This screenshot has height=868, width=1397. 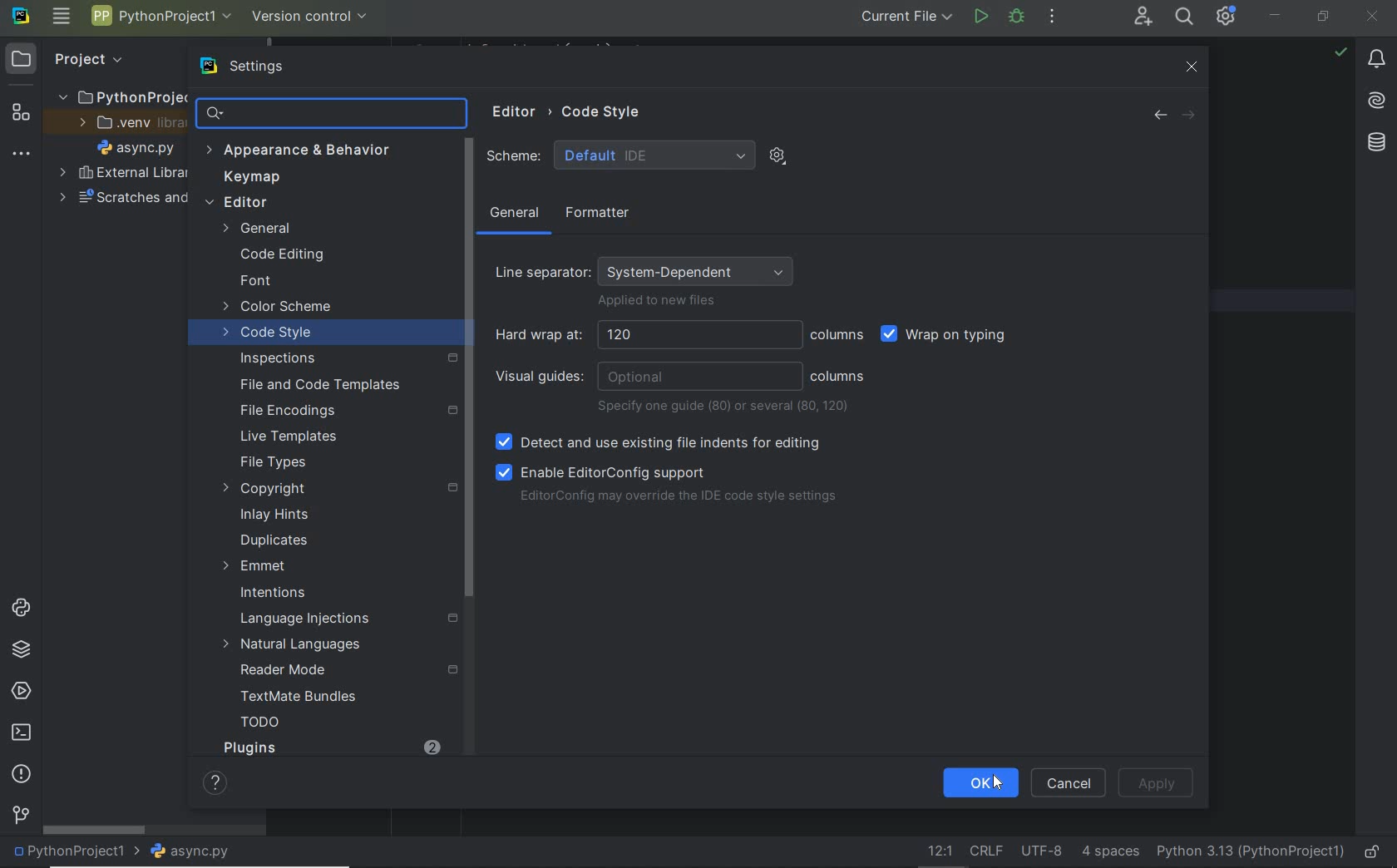 What do you see at coordinates (936, 851) in the screenshot?
I see `Go to line` at bounding box center [936, 851].